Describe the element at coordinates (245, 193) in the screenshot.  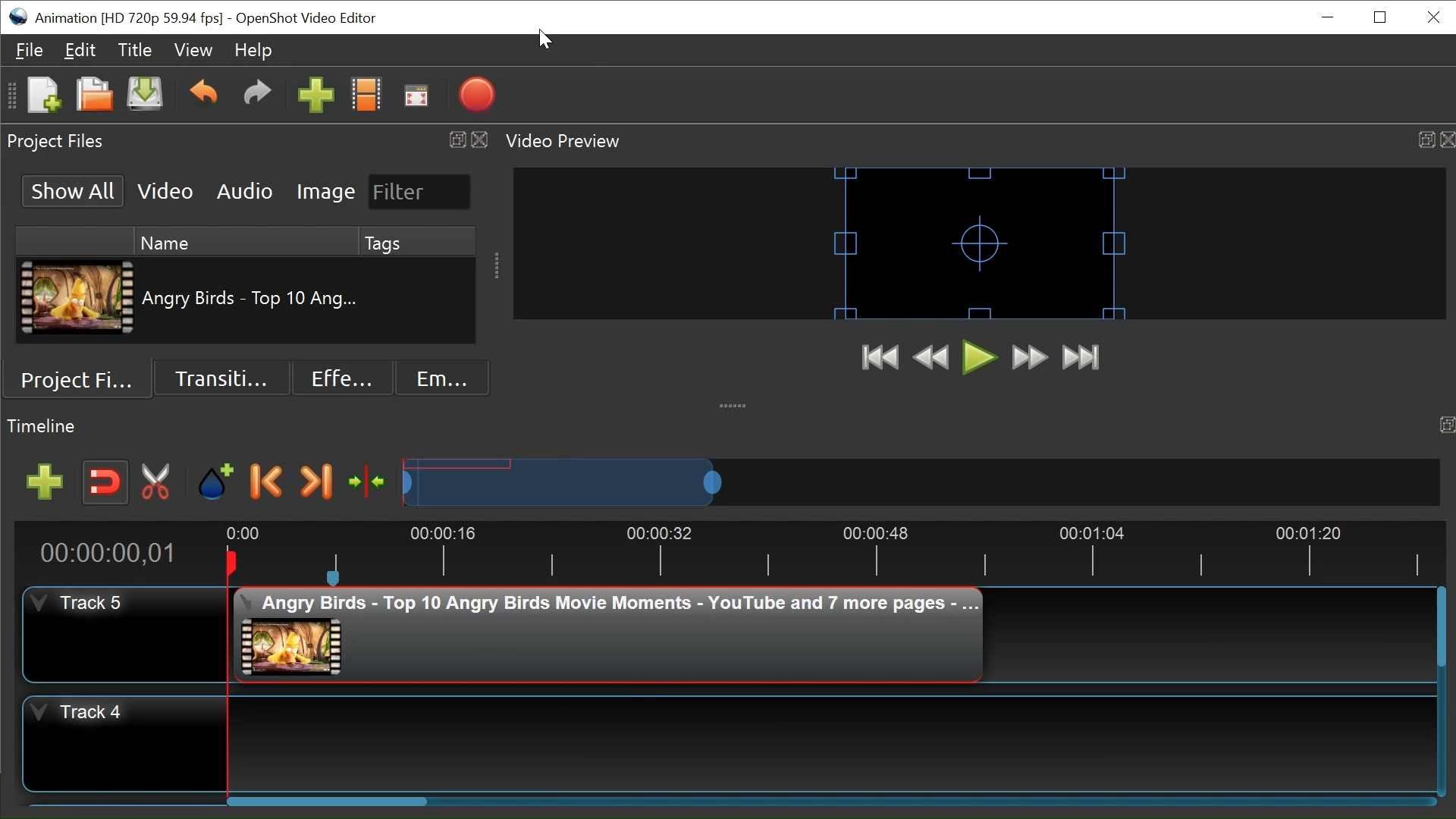
I see `Audio` at that location.